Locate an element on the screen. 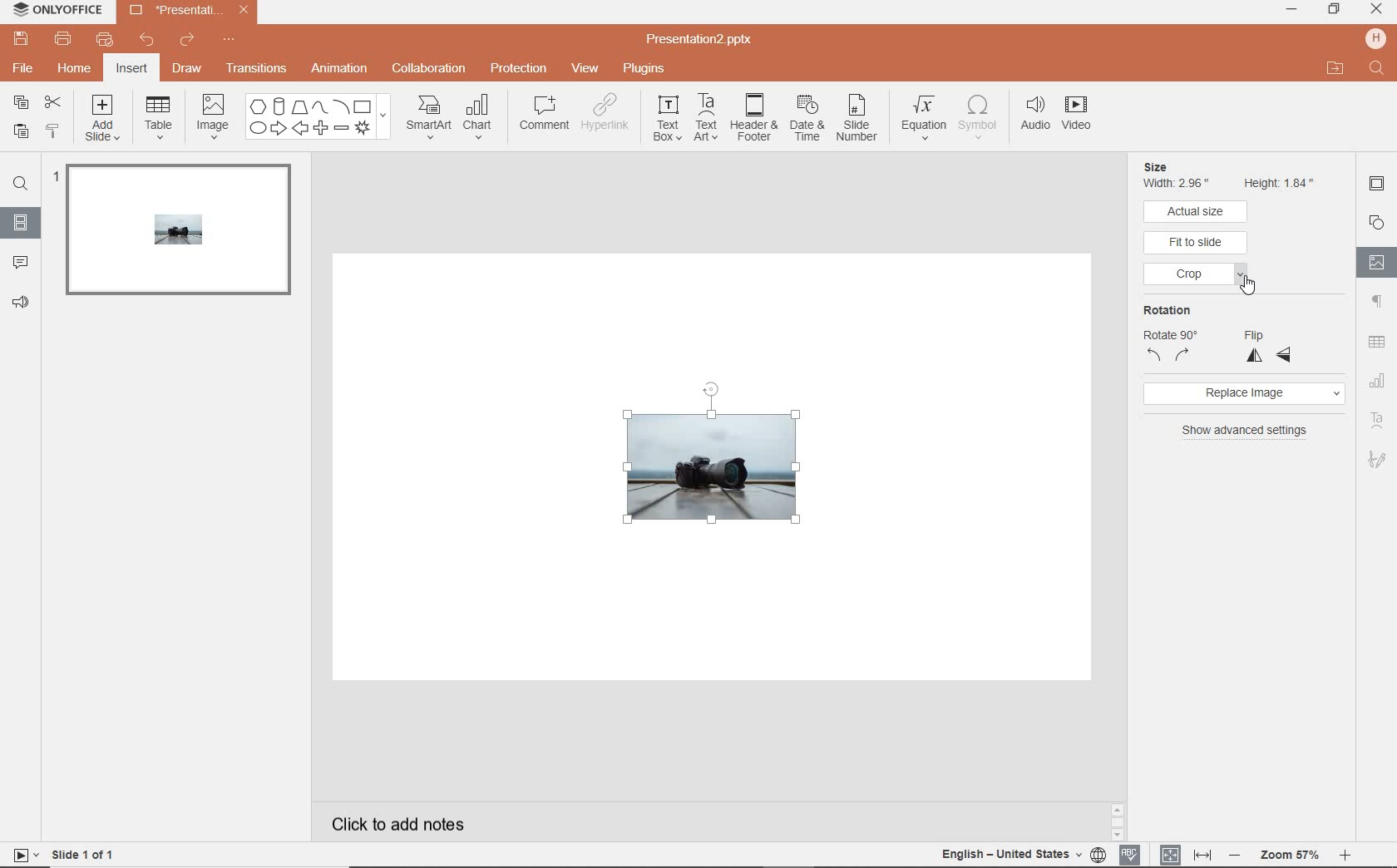 The image size is (1397, 868). rotation is located at coordinates (1167, 333).